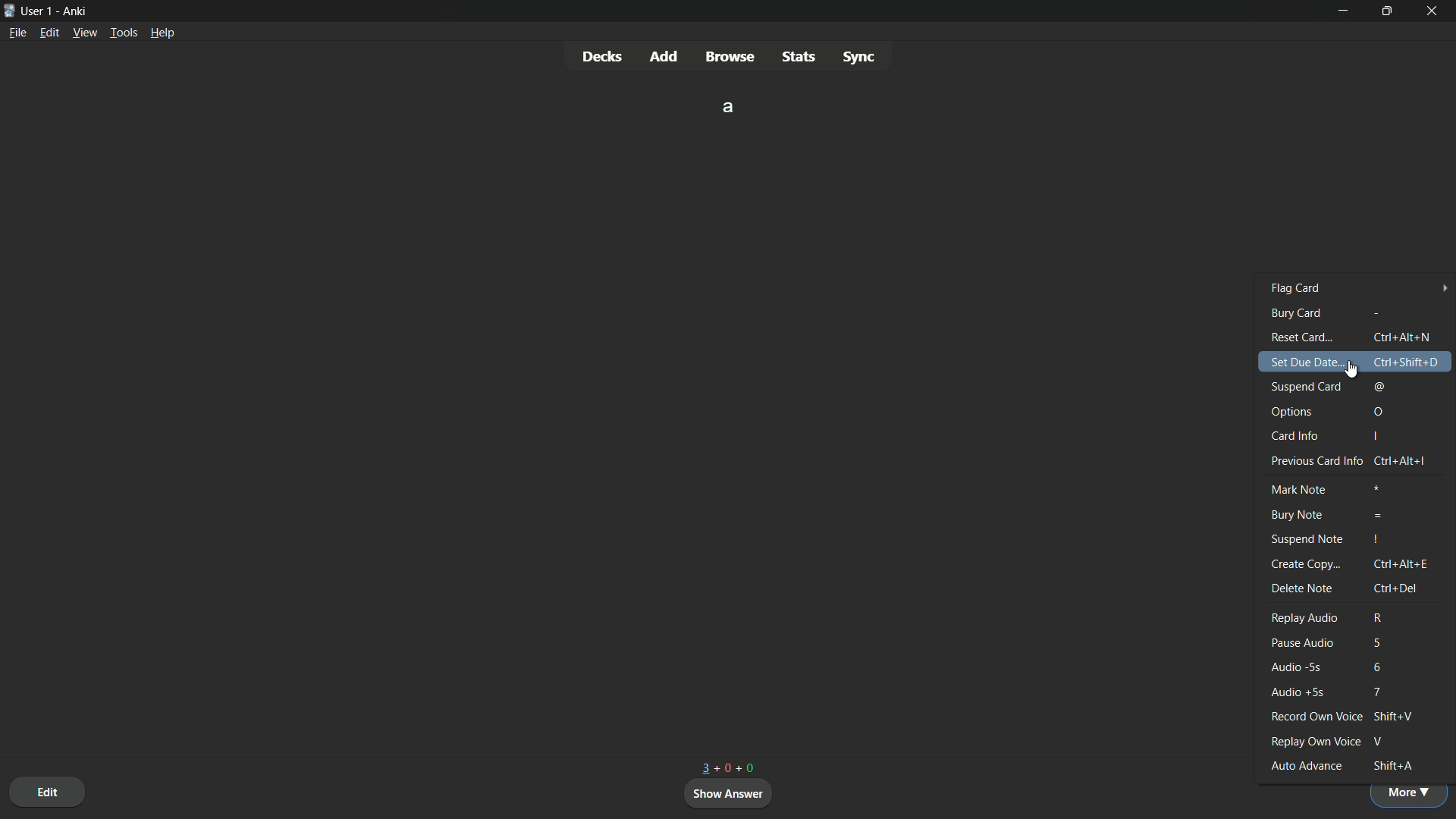 Image resolution: width=1456 pixels, height=819 pixels. I want to click on browse, so click(731, 57).